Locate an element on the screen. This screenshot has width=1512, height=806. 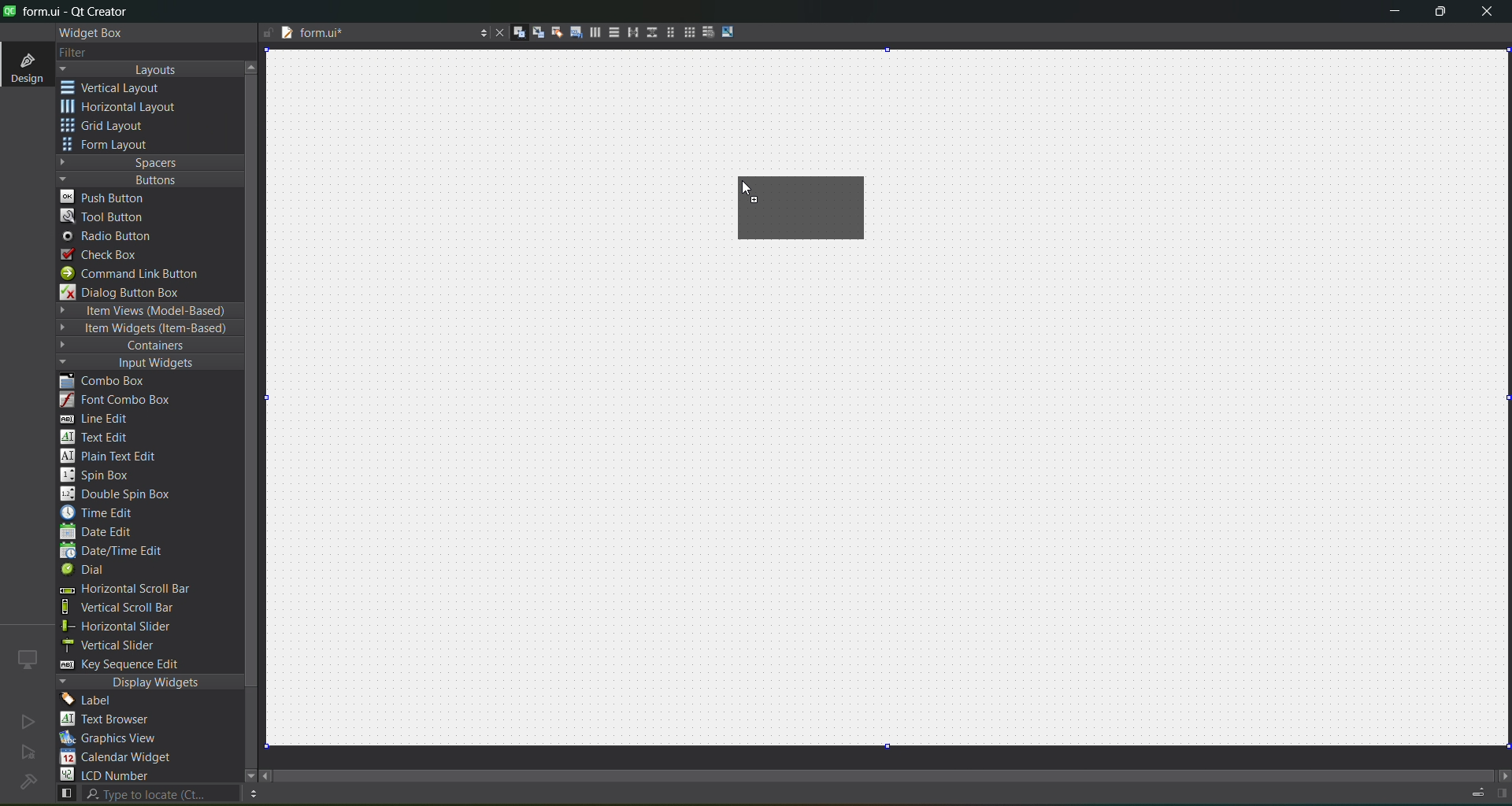
horizontal splitter is located at coordinates (628, 33).